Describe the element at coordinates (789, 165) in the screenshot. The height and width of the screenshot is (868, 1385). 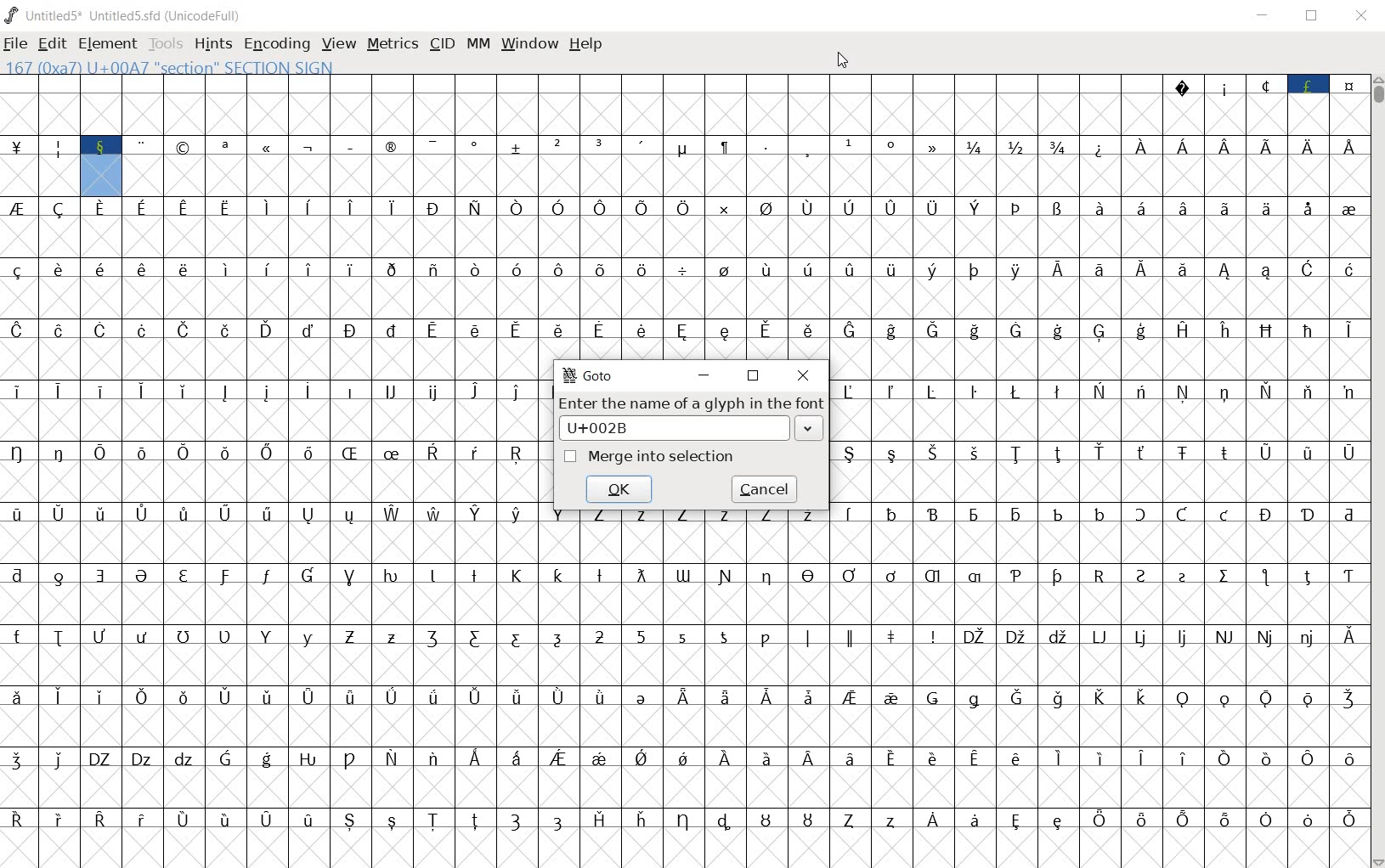
I see `special character` at that location.